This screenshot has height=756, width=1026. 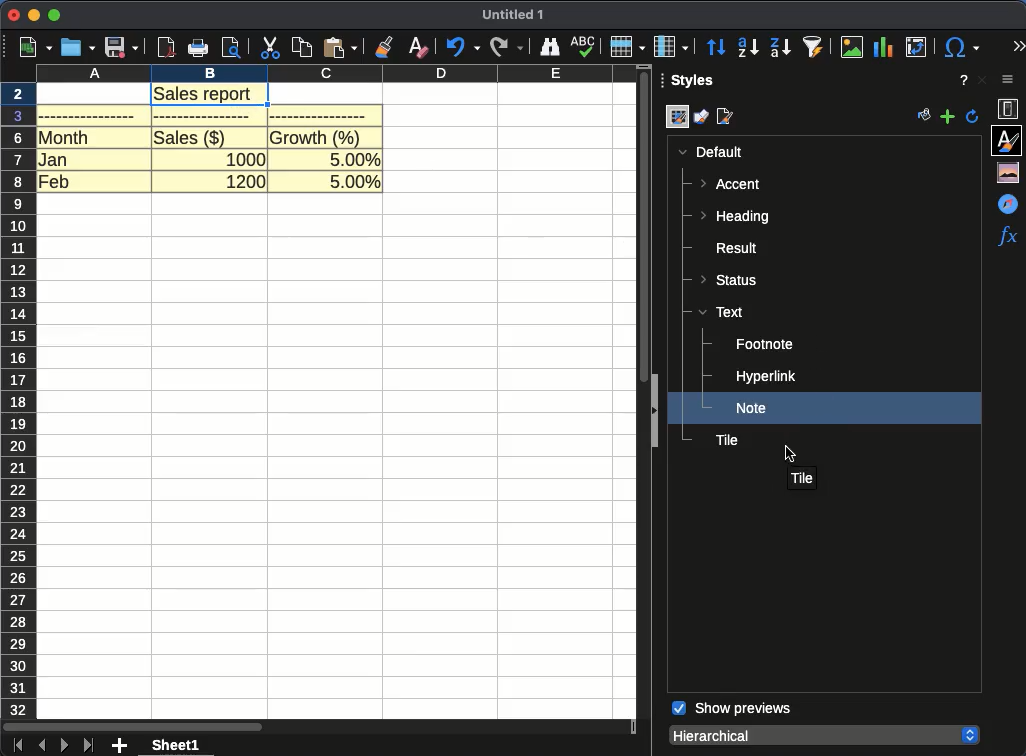 What do you see at coordinates (748, 47) in the screenshot?
I see `ascending` at bounding box center [748, 47].